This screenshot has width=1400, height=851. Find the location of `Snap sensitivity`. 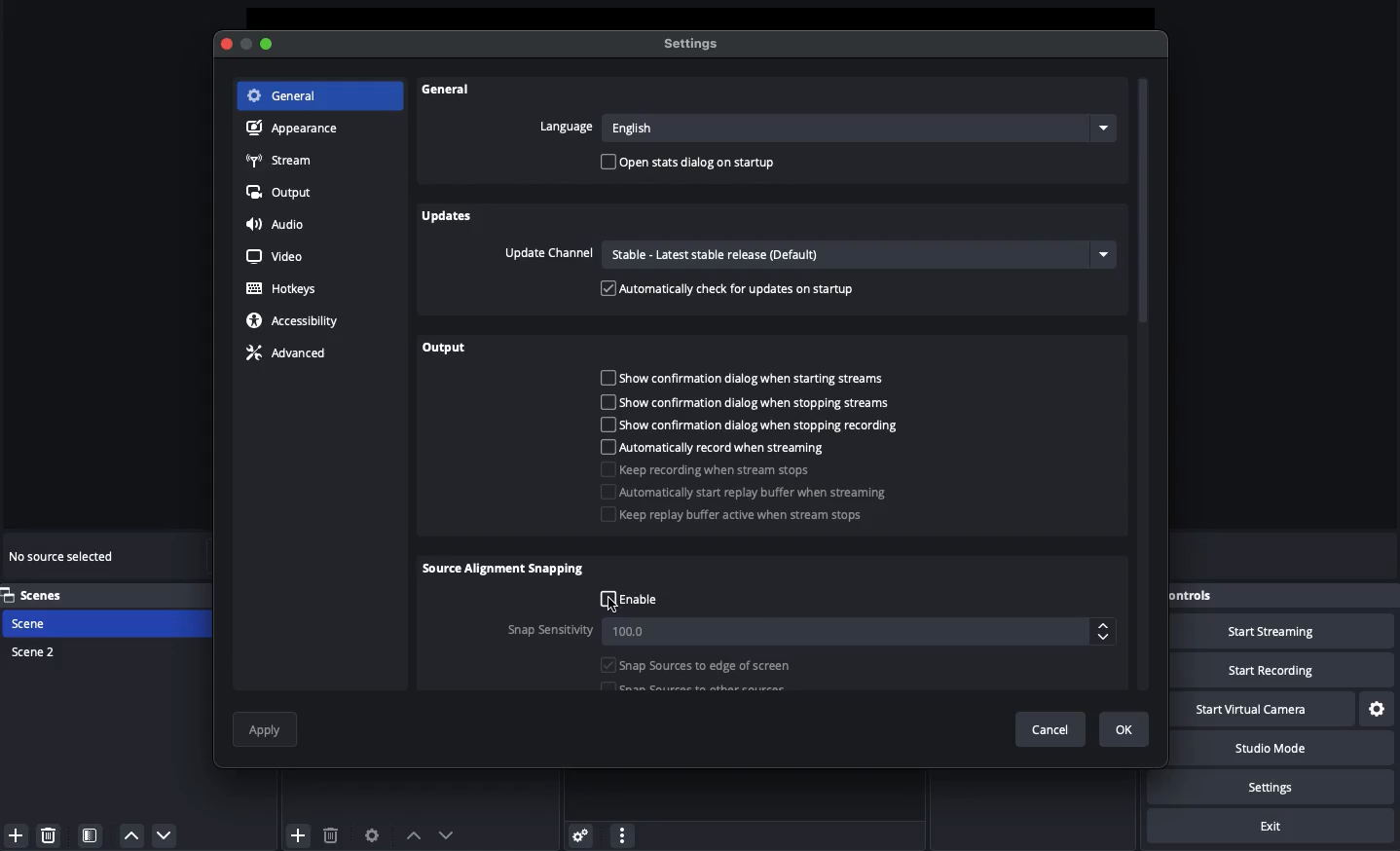

Snap sensitivity is located at coordinates (809, 632).